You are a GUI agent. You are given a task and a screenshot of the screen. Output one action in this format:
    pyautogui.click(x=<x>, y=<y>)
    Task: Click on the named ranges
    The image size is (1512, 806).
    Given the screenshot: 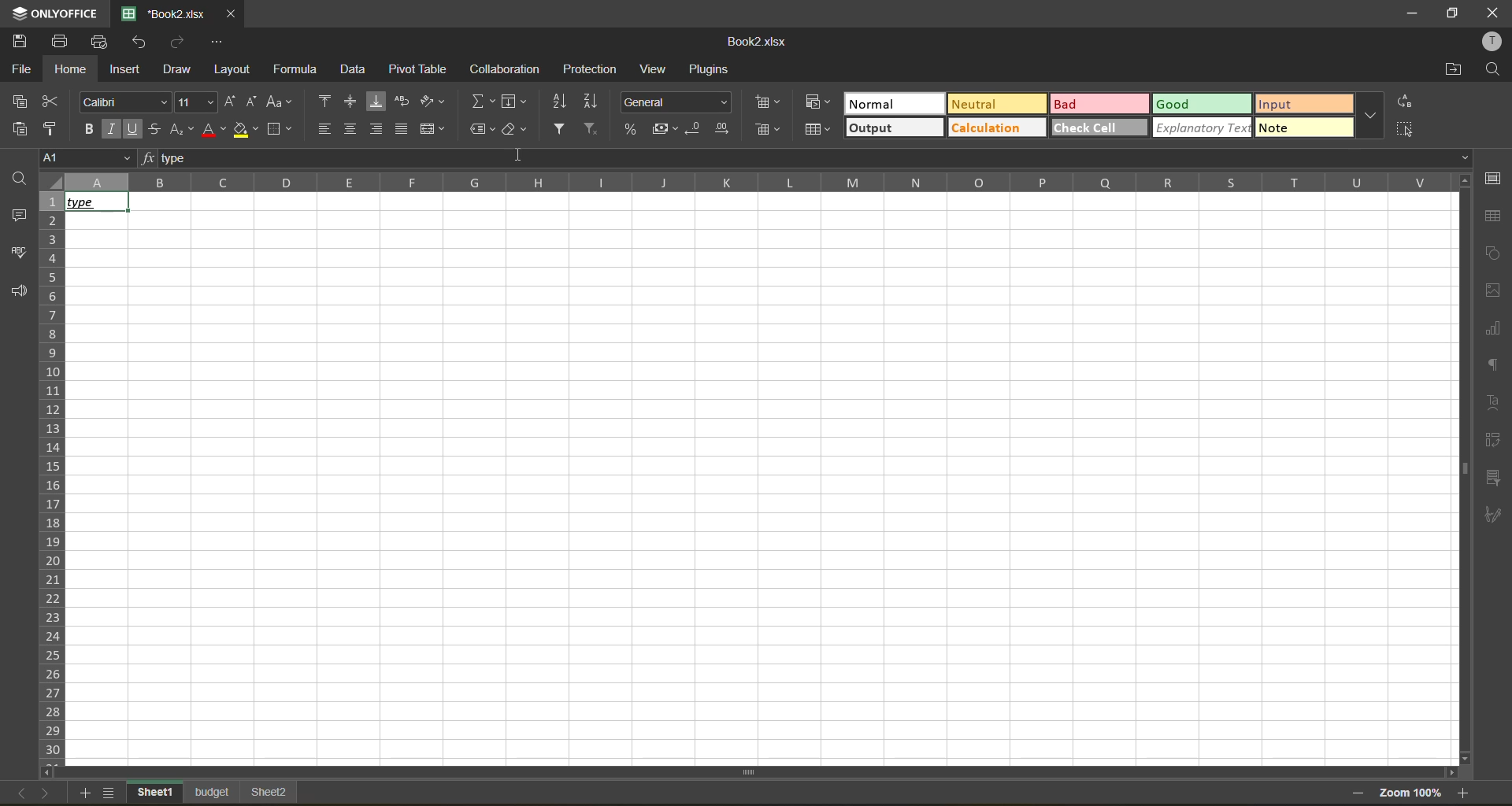 What is the action you would take?
    pyautogui.click(x=484, y=130)
    